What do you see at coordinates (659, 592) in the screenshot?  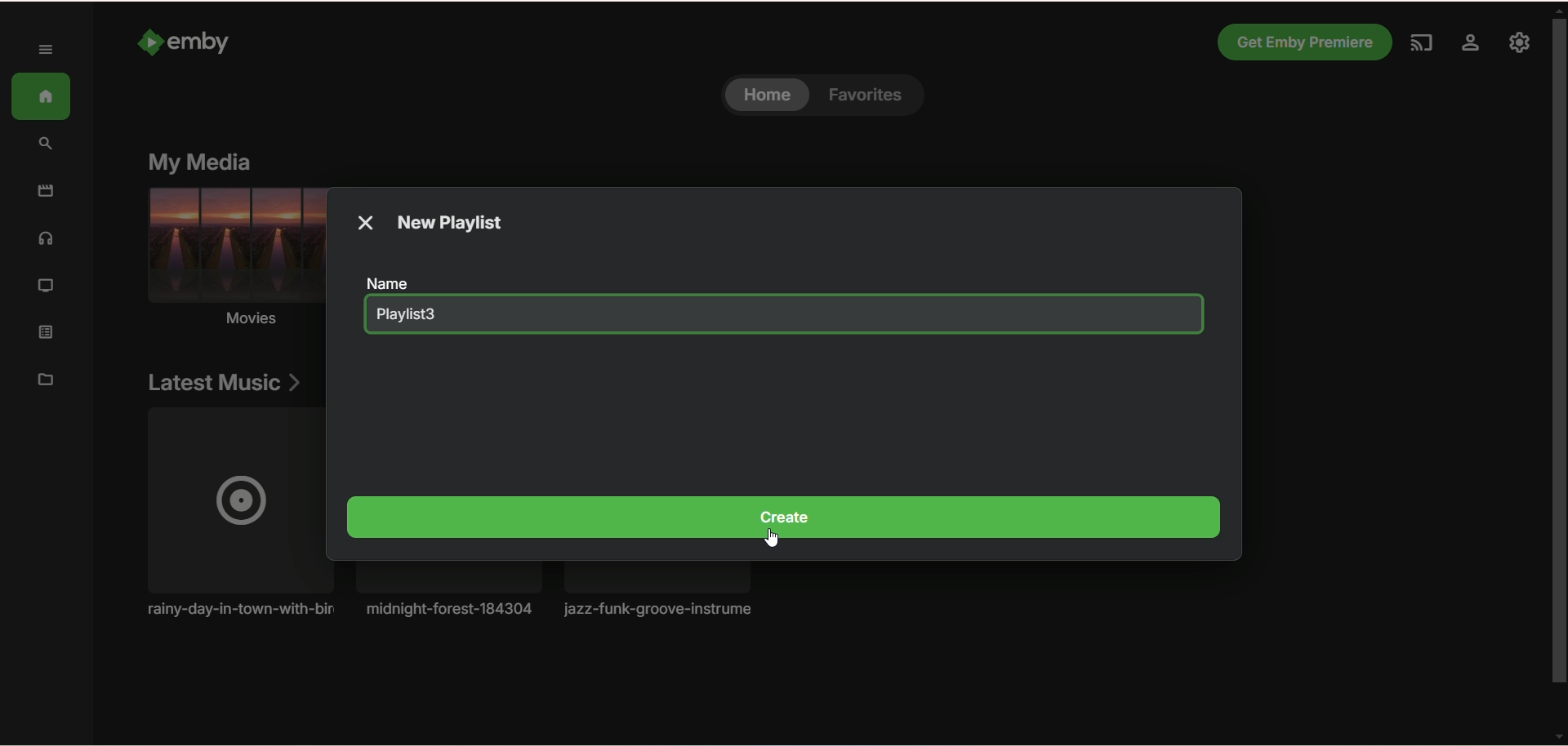 I see `music album` at bounding box center [659, 592].